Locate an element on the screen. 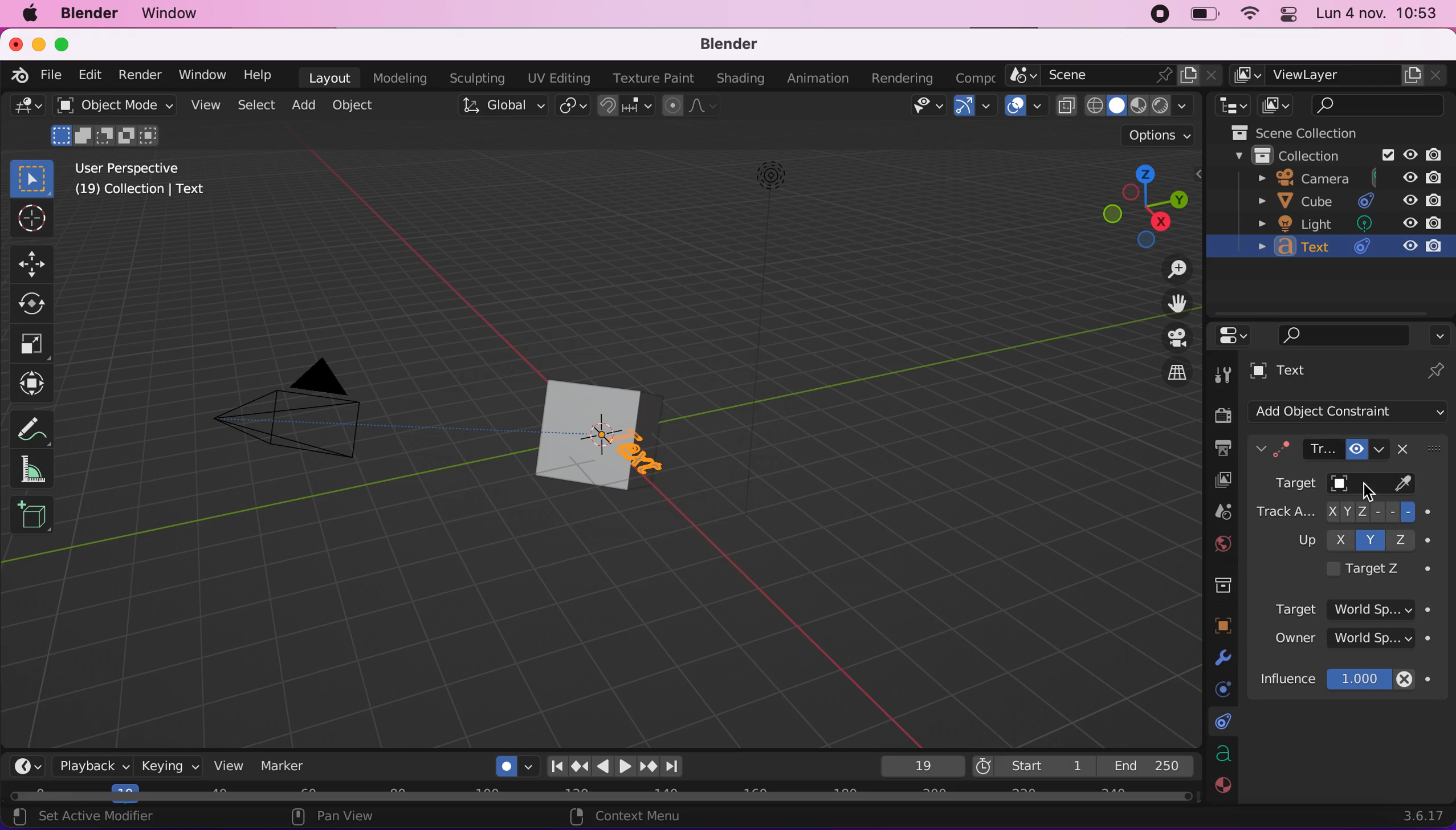 This screenshot has height=830, width=1456. select is located at coordinates (259, 106).